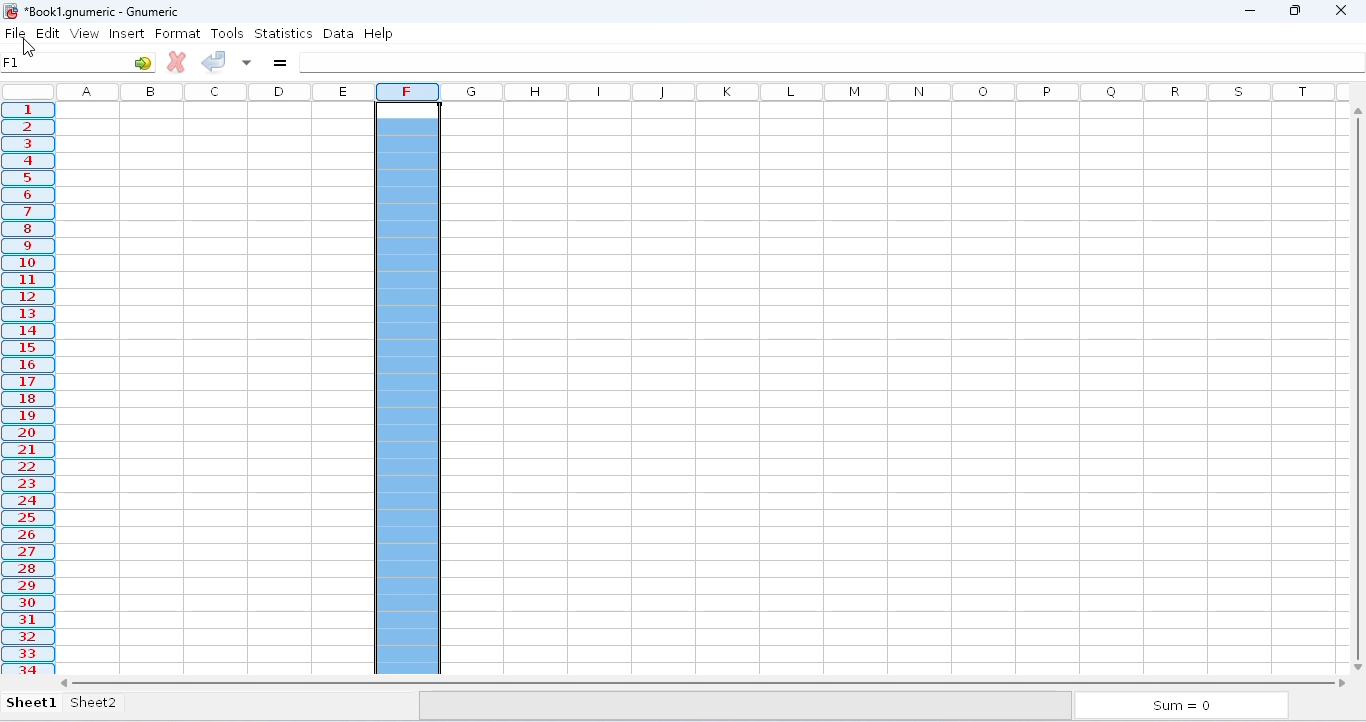 Image resolution: width=1366 pixels, height=722 pixels. Describe the element at coordinates (246, 62) in the screenshot. I see `accept changes to multiple cells` at that location.